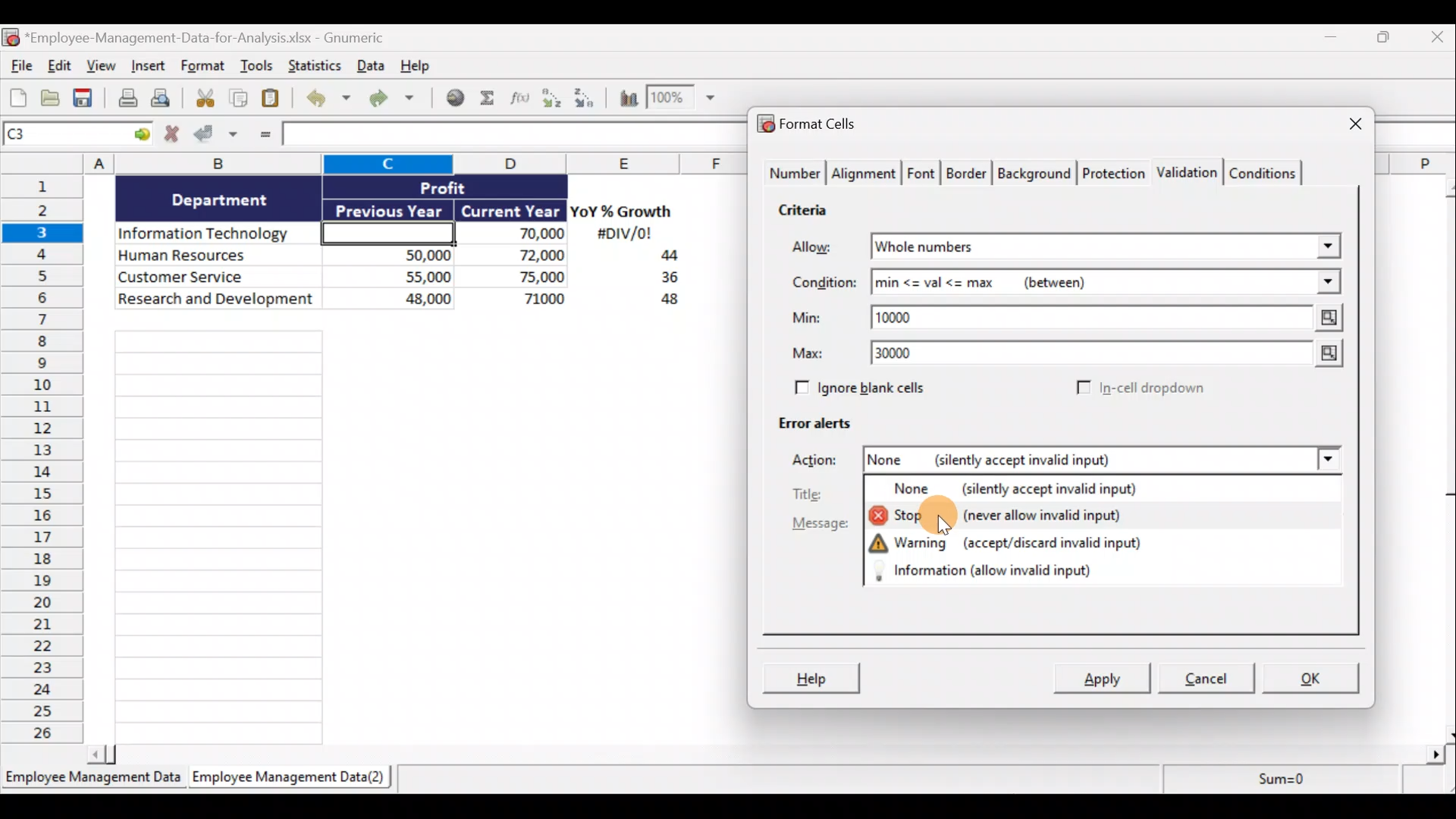 The height and width of the screenshot is (819, 1456). Describe the element at coordinates (218, 275) in the screenshot. I see `Customer Service` at that location.